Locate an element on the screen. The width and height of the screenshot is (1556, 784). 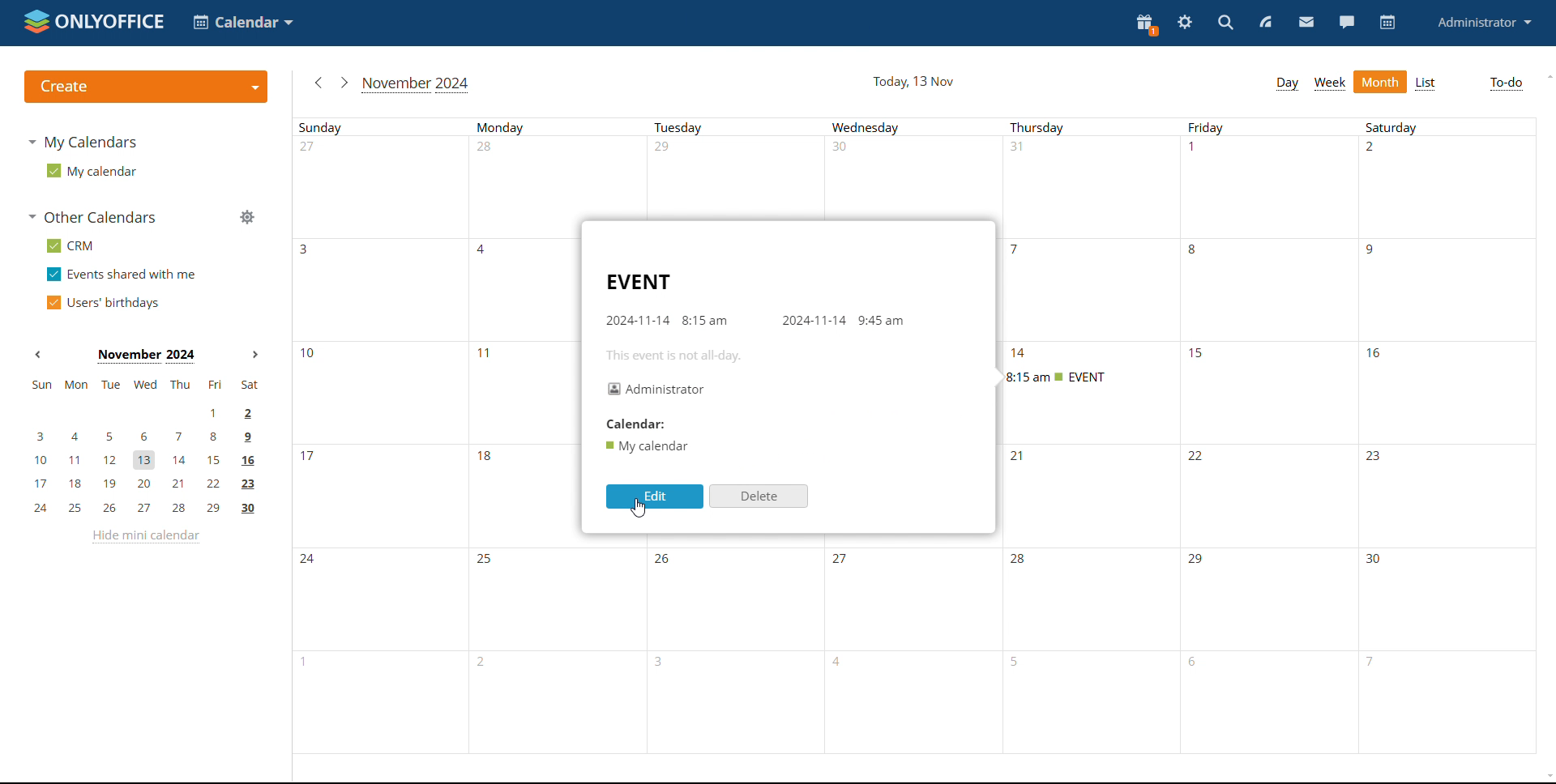
my calendar is located at coordinates (91, 172).